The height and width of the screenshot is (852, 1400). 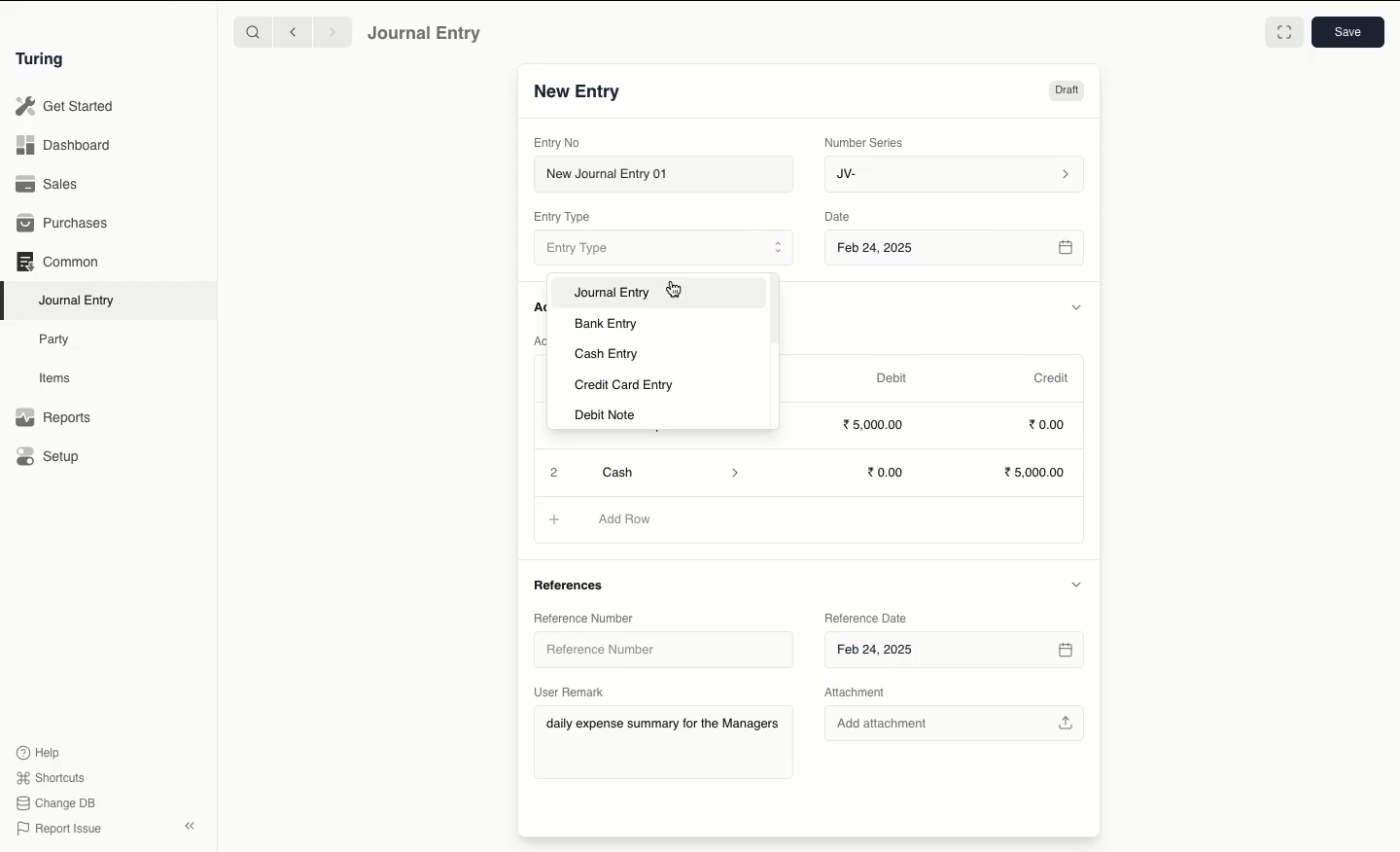 I want to click on Add, so click(x=553, y=470).